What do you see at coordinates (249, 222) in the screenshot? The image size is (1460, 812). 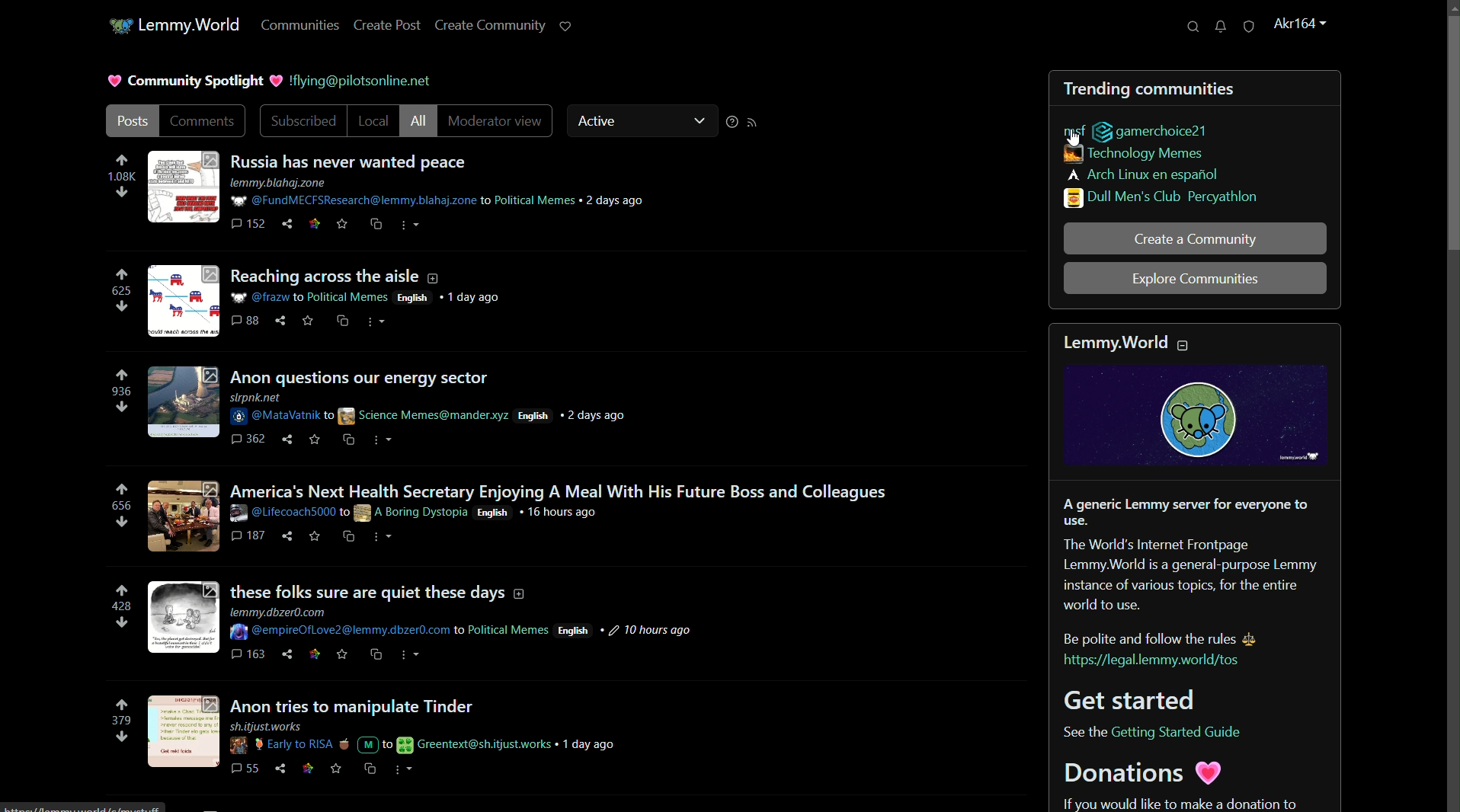 I see `comments` at bounding box center [249, 222].